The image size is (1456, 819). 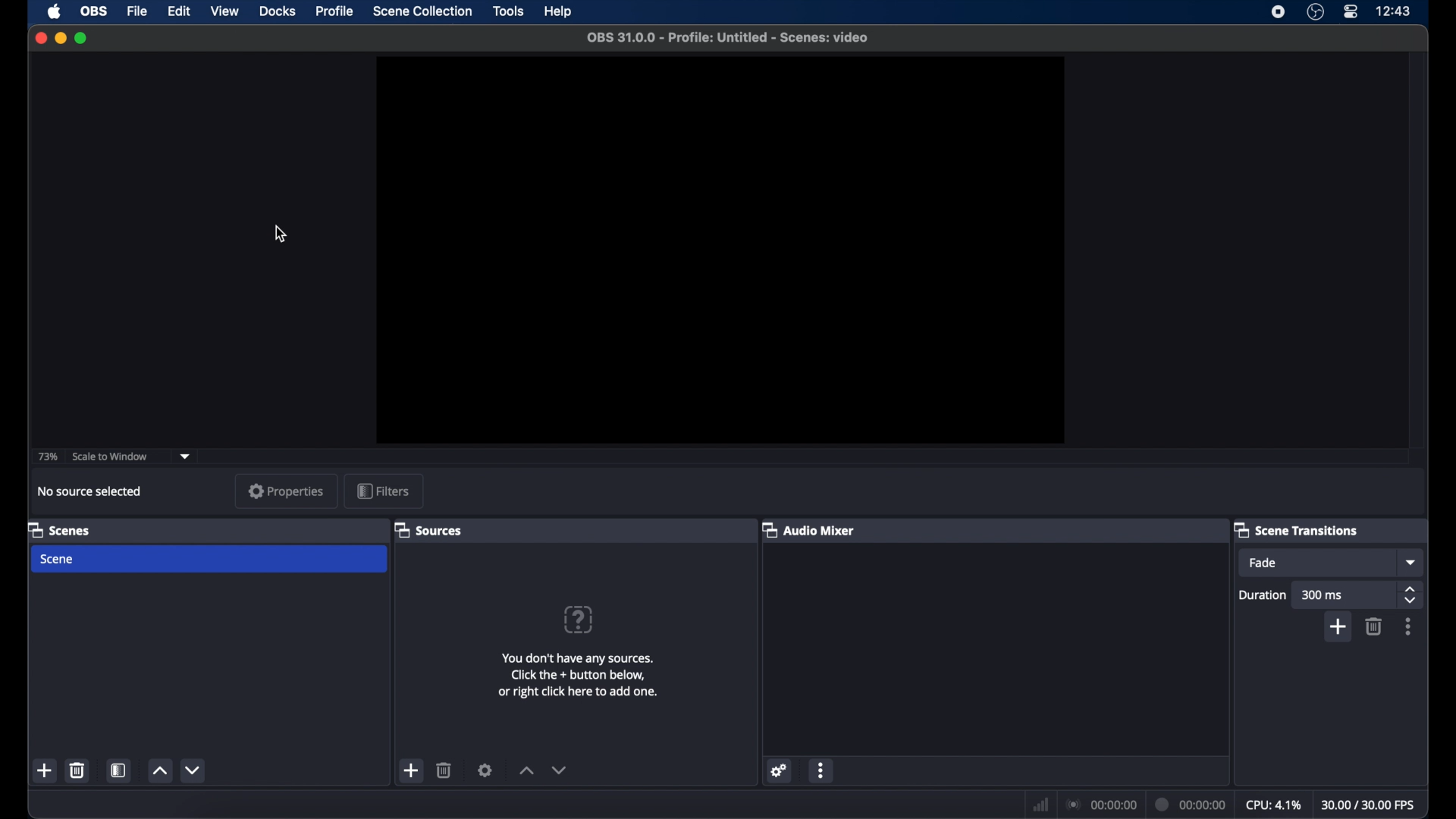 What do you see at coordinates (1040, 802) in the screenshot?
I see `network` at bounding box center [1040, 802].